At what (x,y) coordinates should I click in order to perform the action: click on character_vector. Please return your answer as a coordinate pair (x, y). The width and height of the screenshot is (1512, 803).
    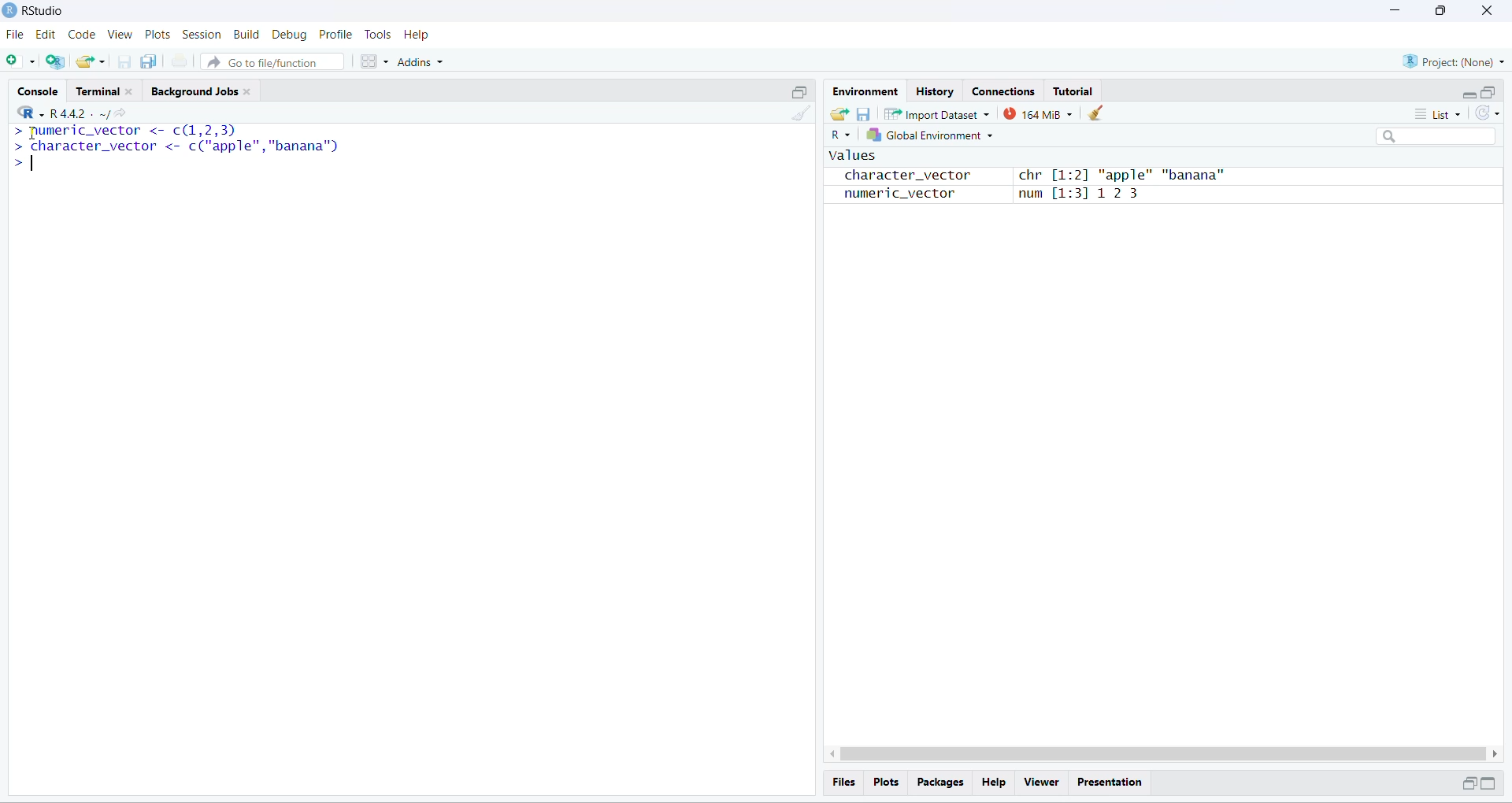
    Looking at the image, I should click on (901, 176).